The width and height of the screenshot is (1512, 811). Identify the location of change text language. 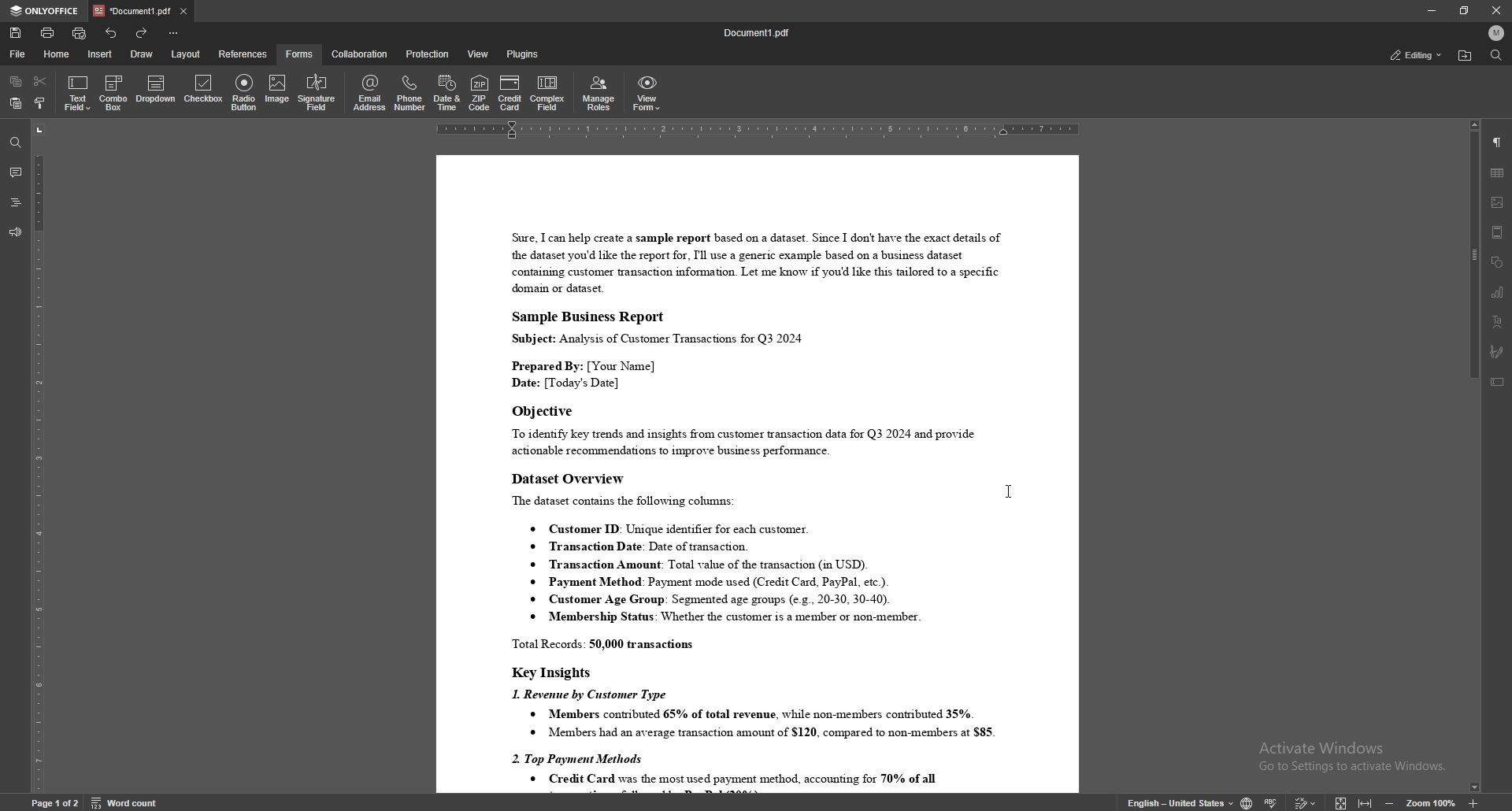
(1180, 802).